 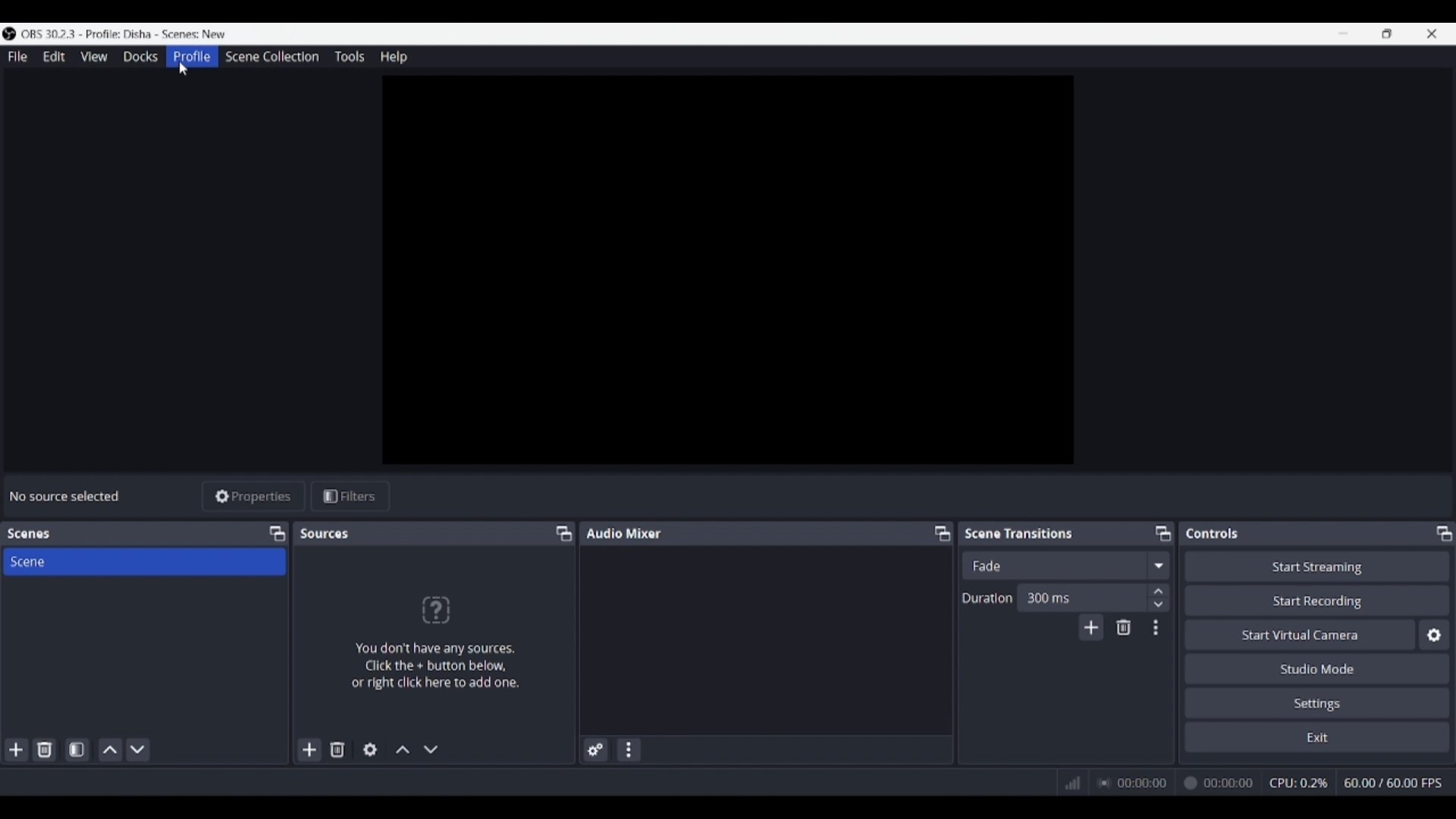 I want to click on Float scenes, so click(x=277, y=534).